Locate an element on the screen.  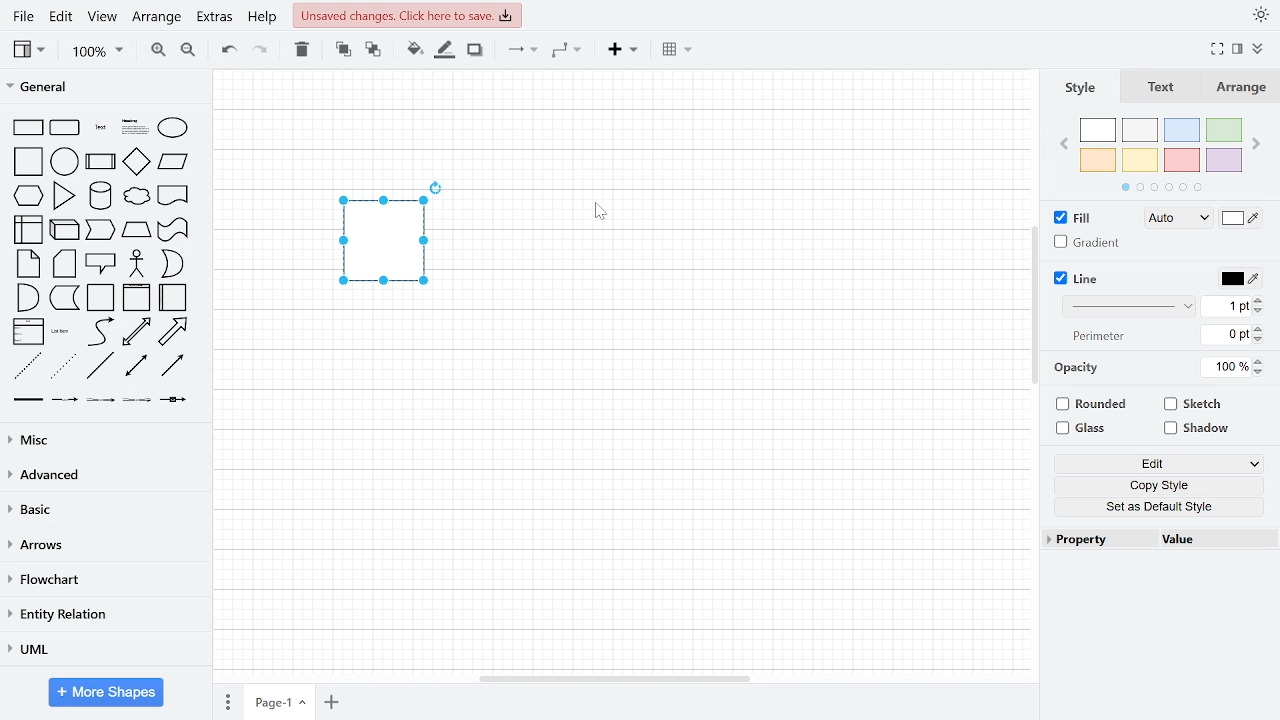
white is located at coordinates (1098, 129).